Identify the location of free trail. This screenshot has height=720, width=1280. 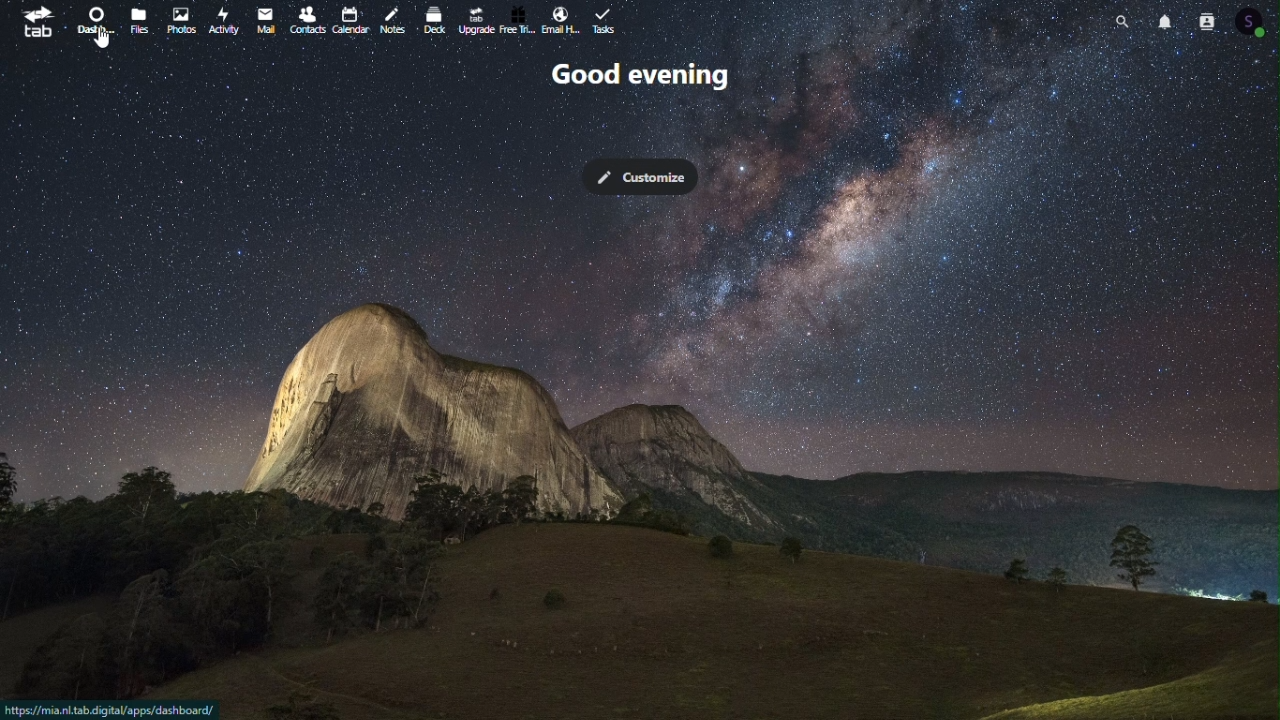
(518, 21).